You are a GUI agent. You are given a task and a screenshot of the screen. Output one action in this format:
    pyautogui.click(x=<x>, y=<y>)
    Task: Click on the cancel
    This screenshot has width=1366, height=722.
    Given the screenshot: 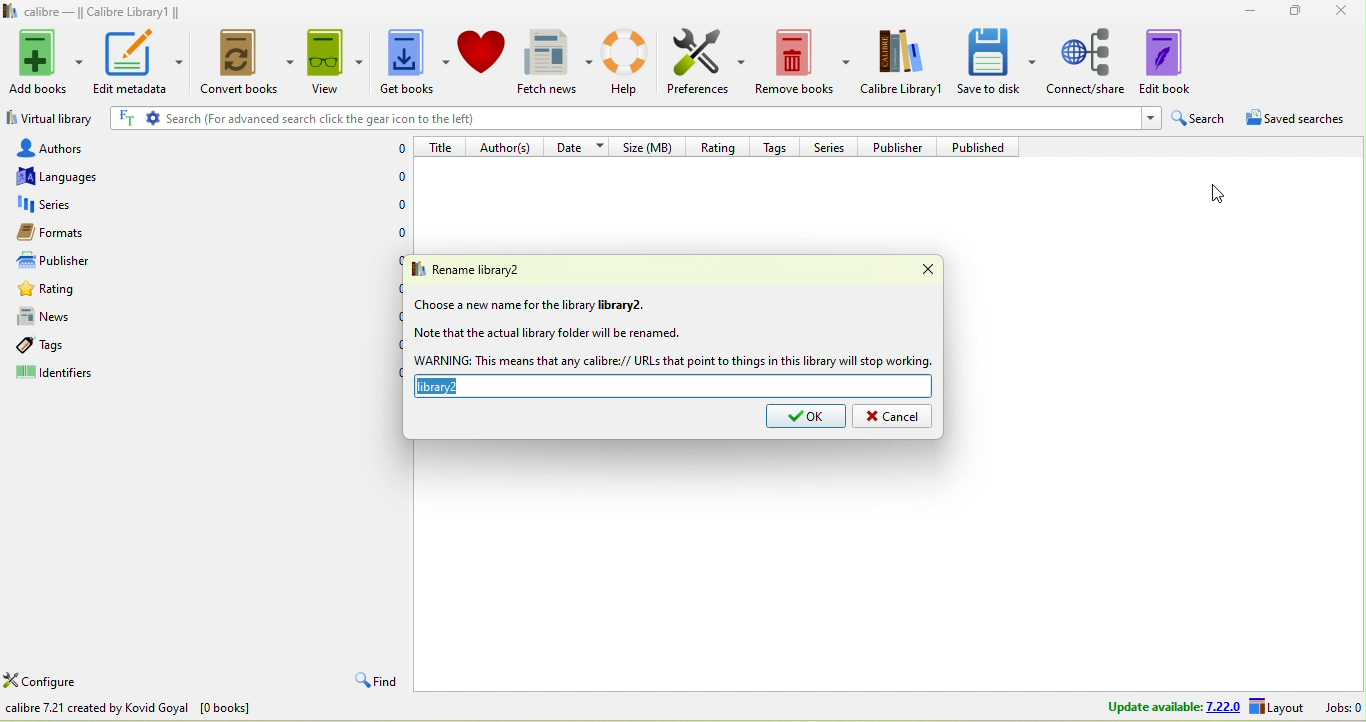 What is the action you would take?
    pyautogui.click(x=892, y=417)
    